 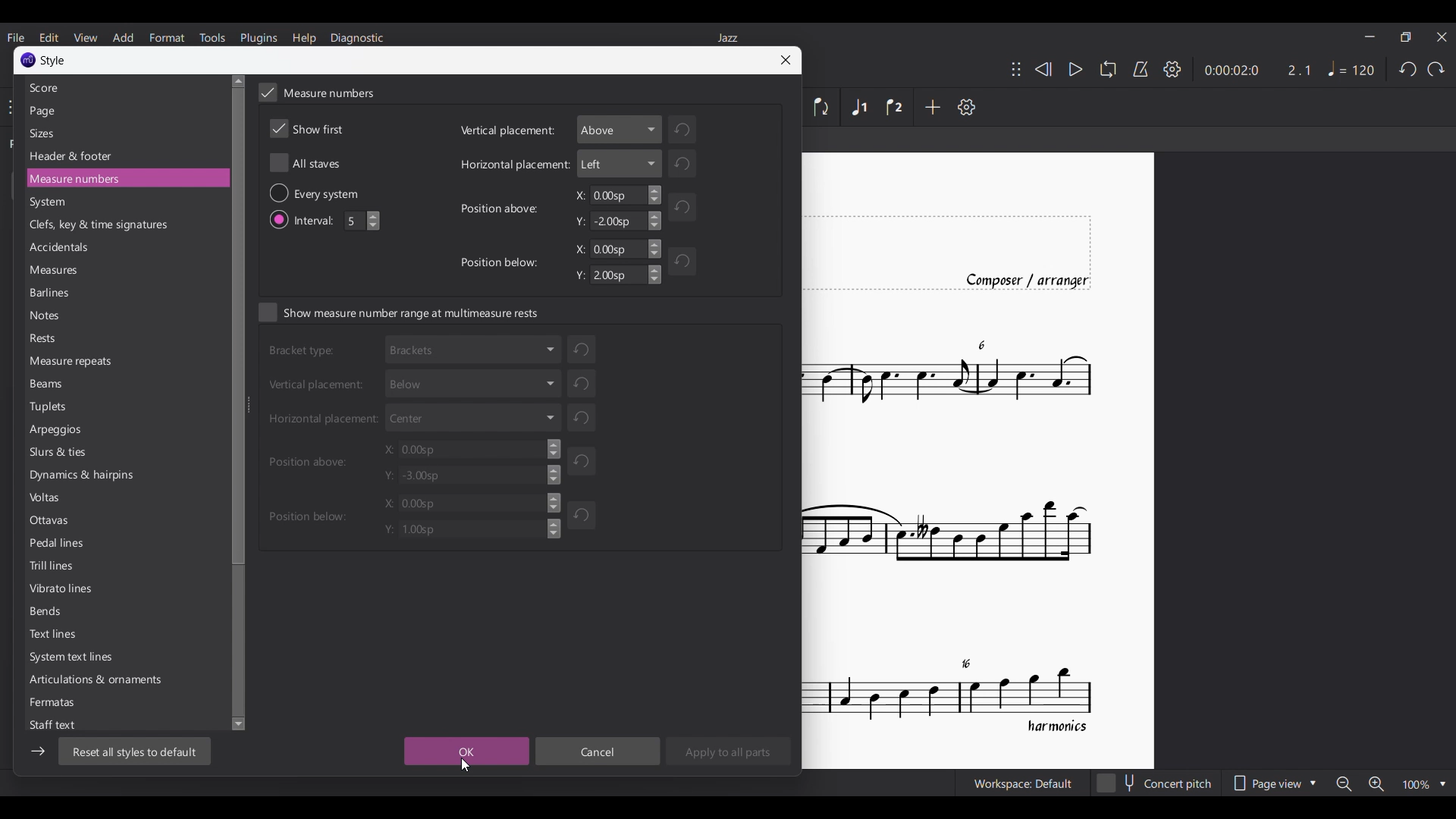 I want to click on Diagnostic menu, so click(x=356, y=39).